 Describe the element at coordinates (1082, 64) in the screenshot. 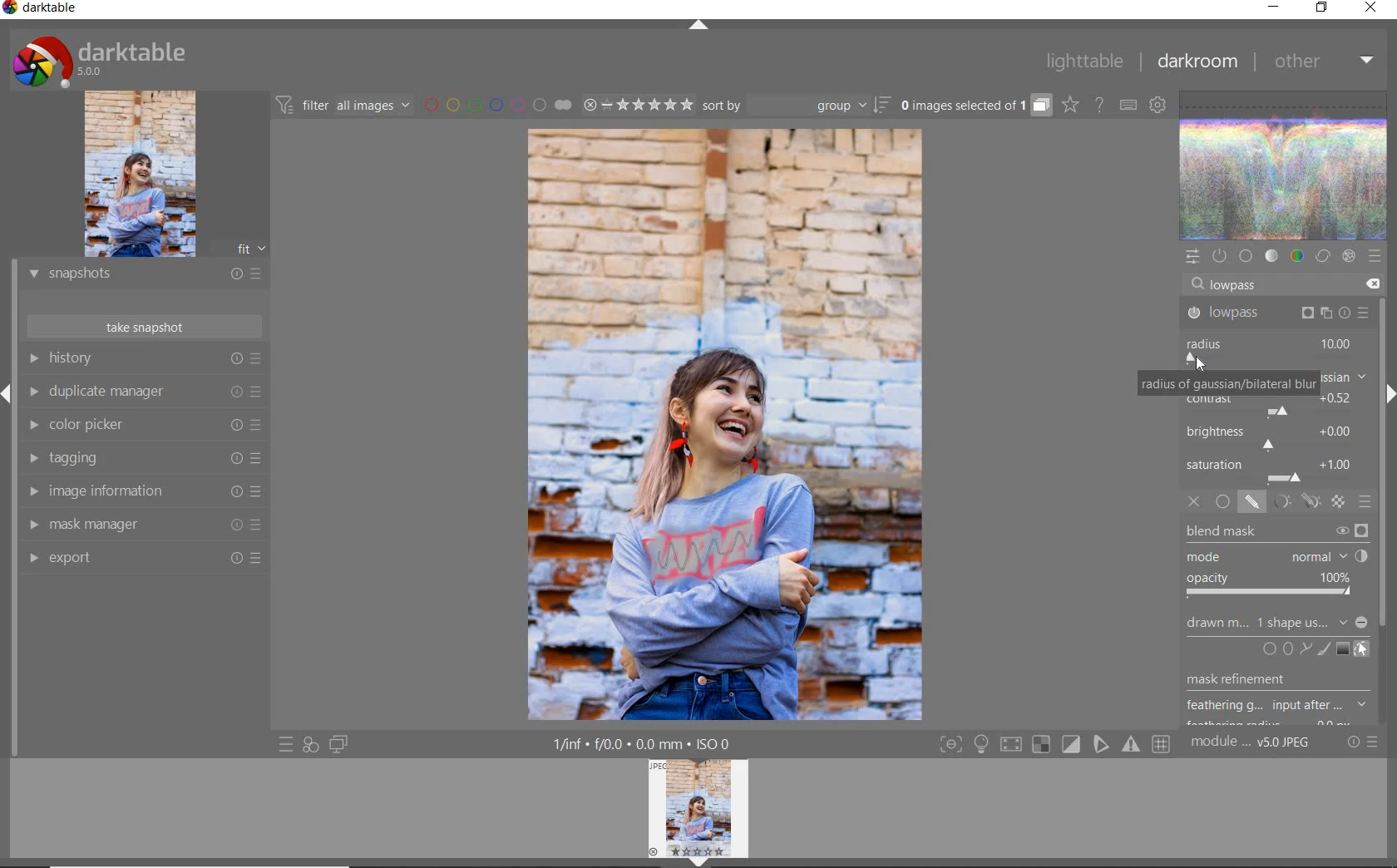

I see `lighttable` at that location.